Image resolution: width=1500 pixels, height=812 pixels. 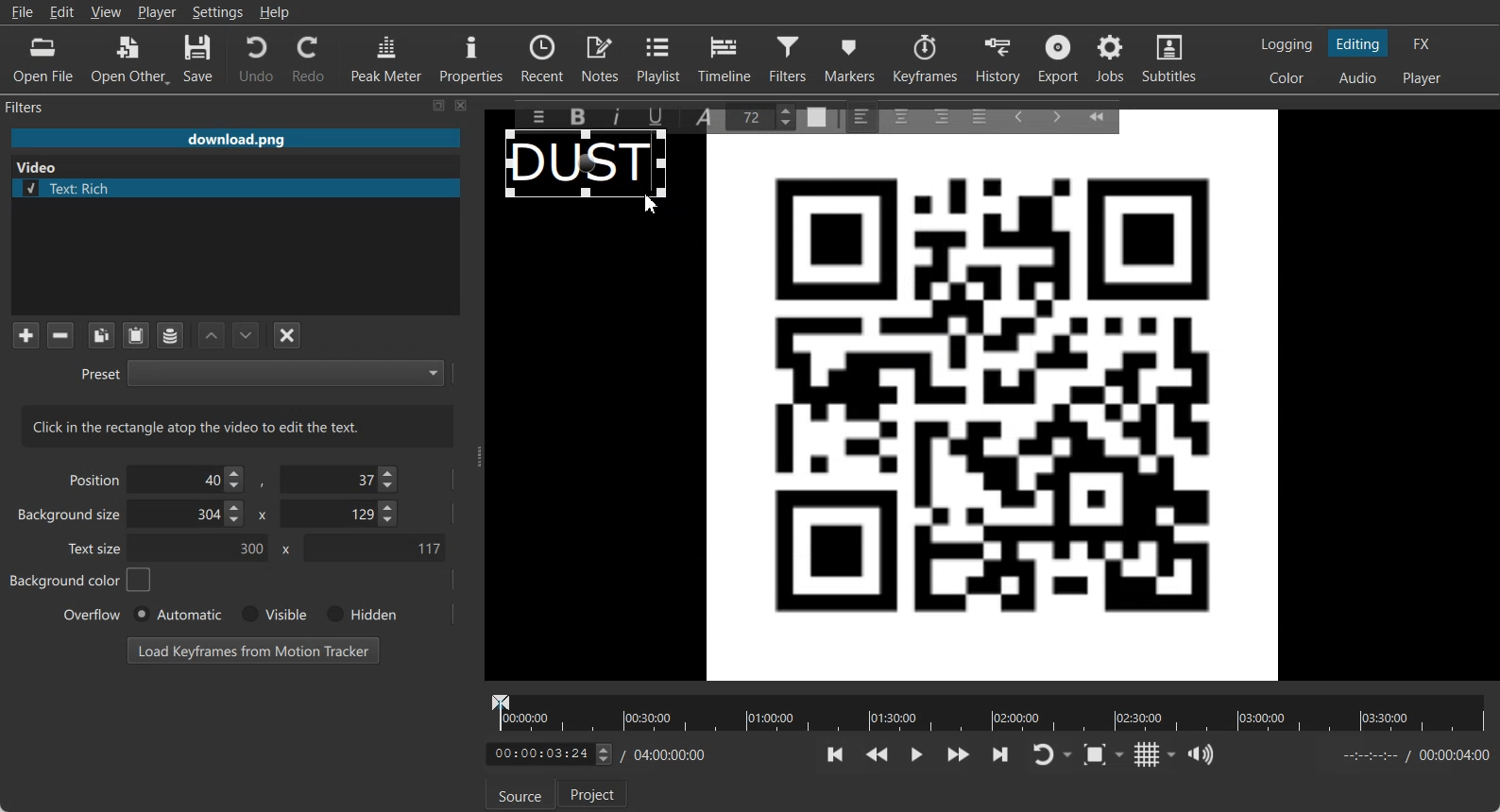 I want to click on Skip to the next point, so click(x=999, y=753).